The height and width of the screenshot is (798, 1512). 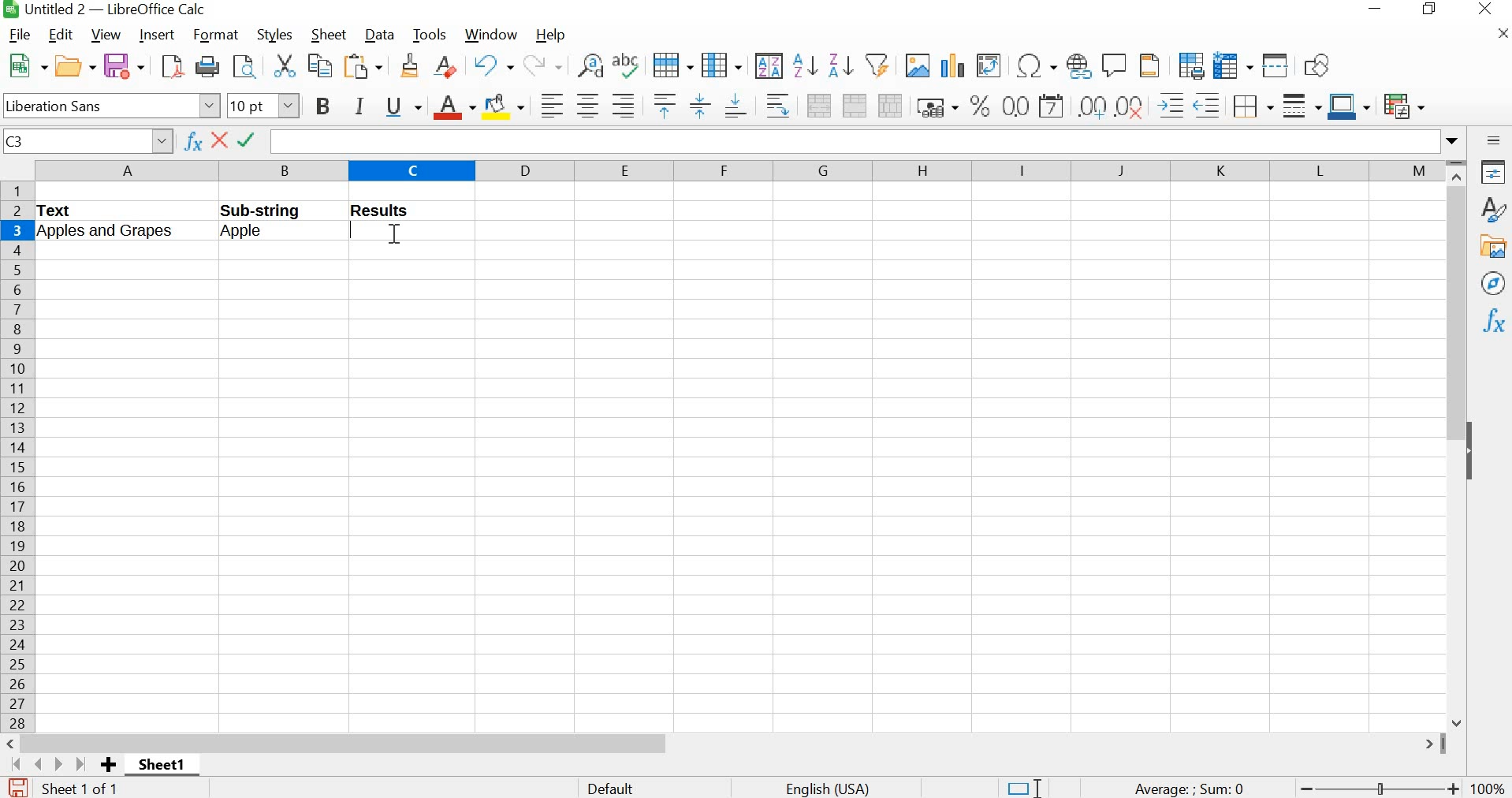 What do you see at coordinates (1077, 65) in the screenshot?
I see `insert hyperlink` at bounding box center [1077, 65].